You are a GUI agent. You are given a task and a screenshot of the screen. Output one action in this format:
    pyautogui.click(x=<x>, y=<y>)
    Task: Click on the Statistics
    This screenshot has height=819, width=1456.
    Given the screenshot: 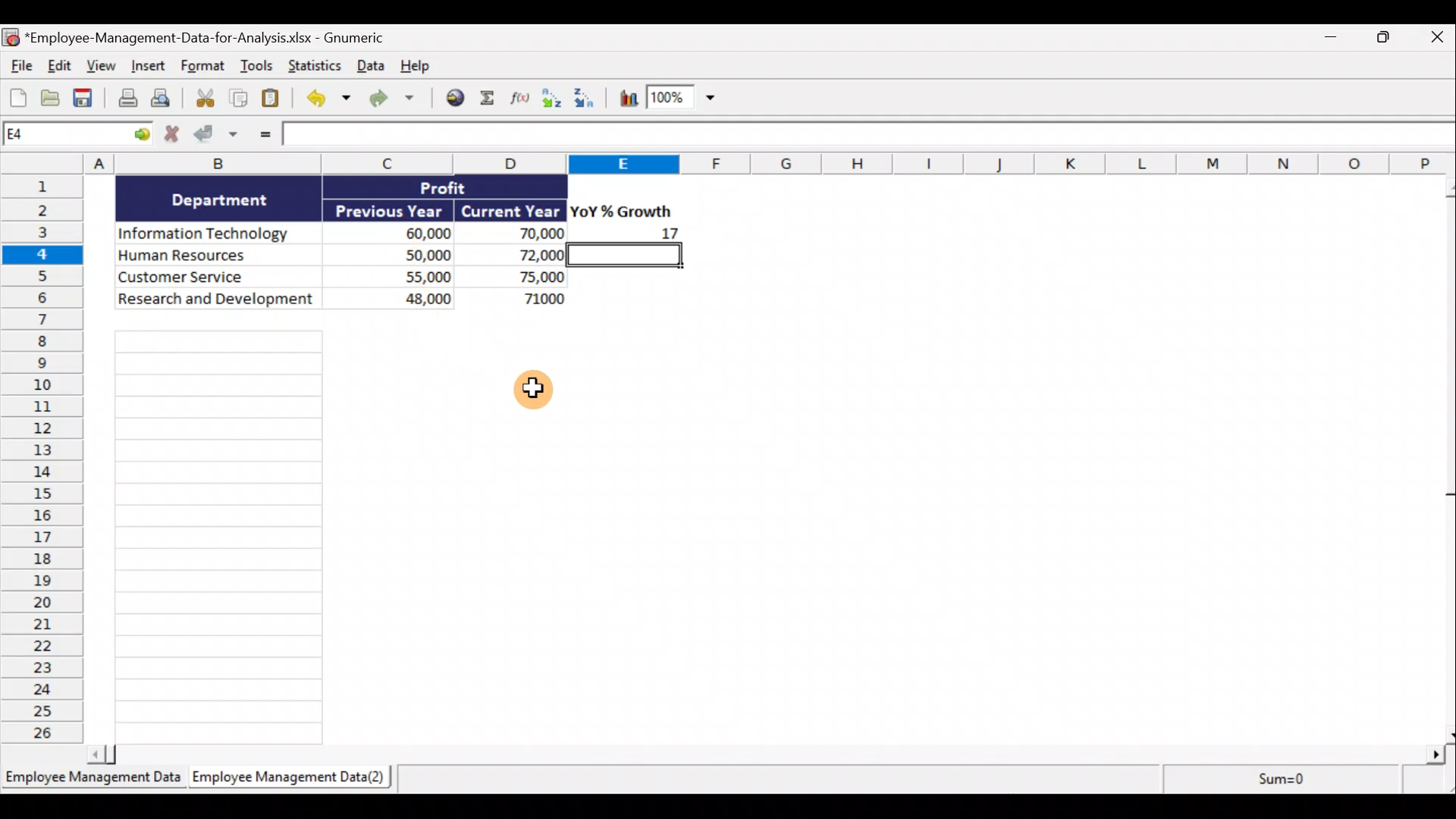 What is the action you would take?
    pyautogui.click(x=312, y=66)
    